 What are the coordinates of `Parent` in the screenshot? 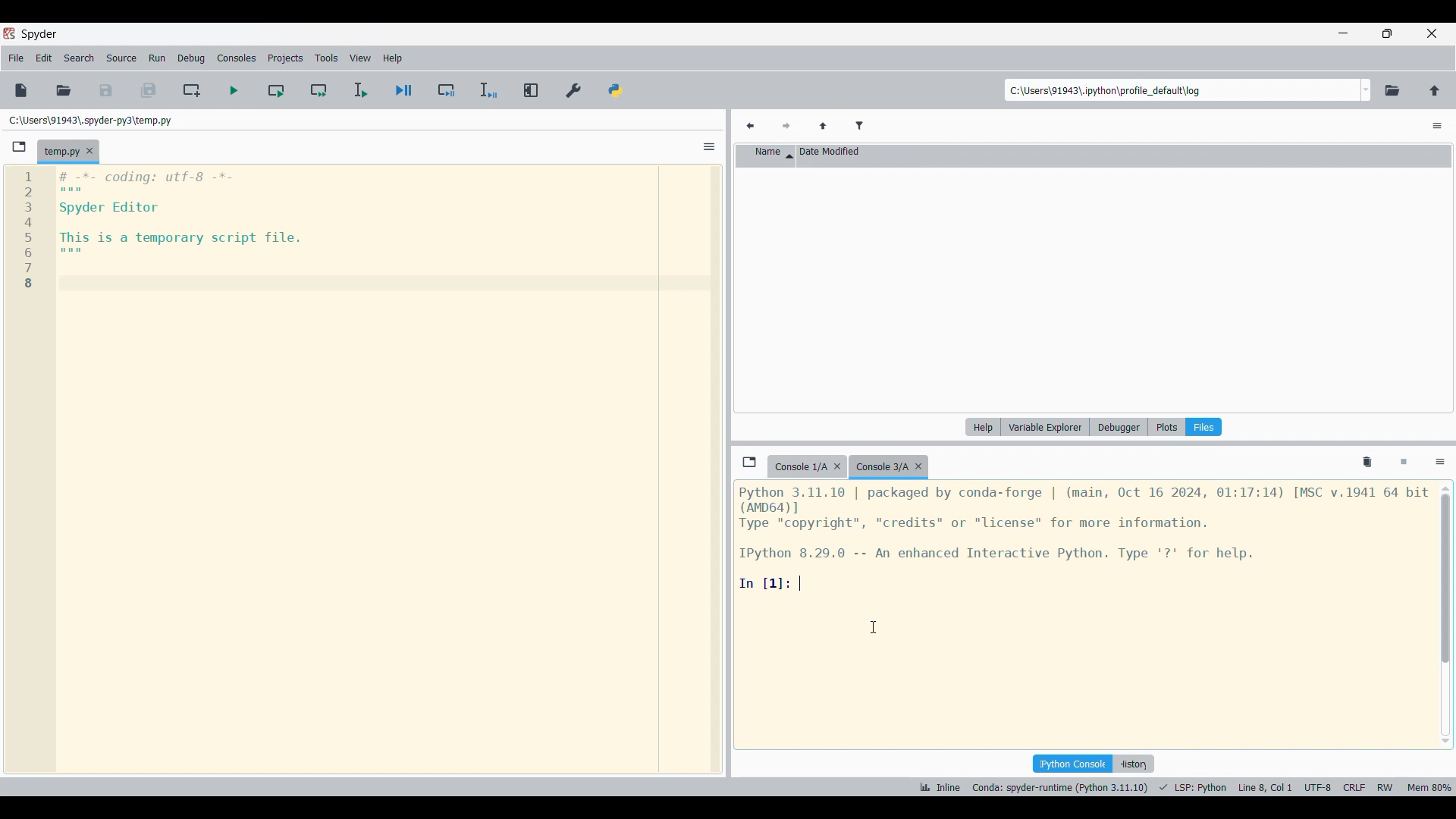 It's located at (824, 127).